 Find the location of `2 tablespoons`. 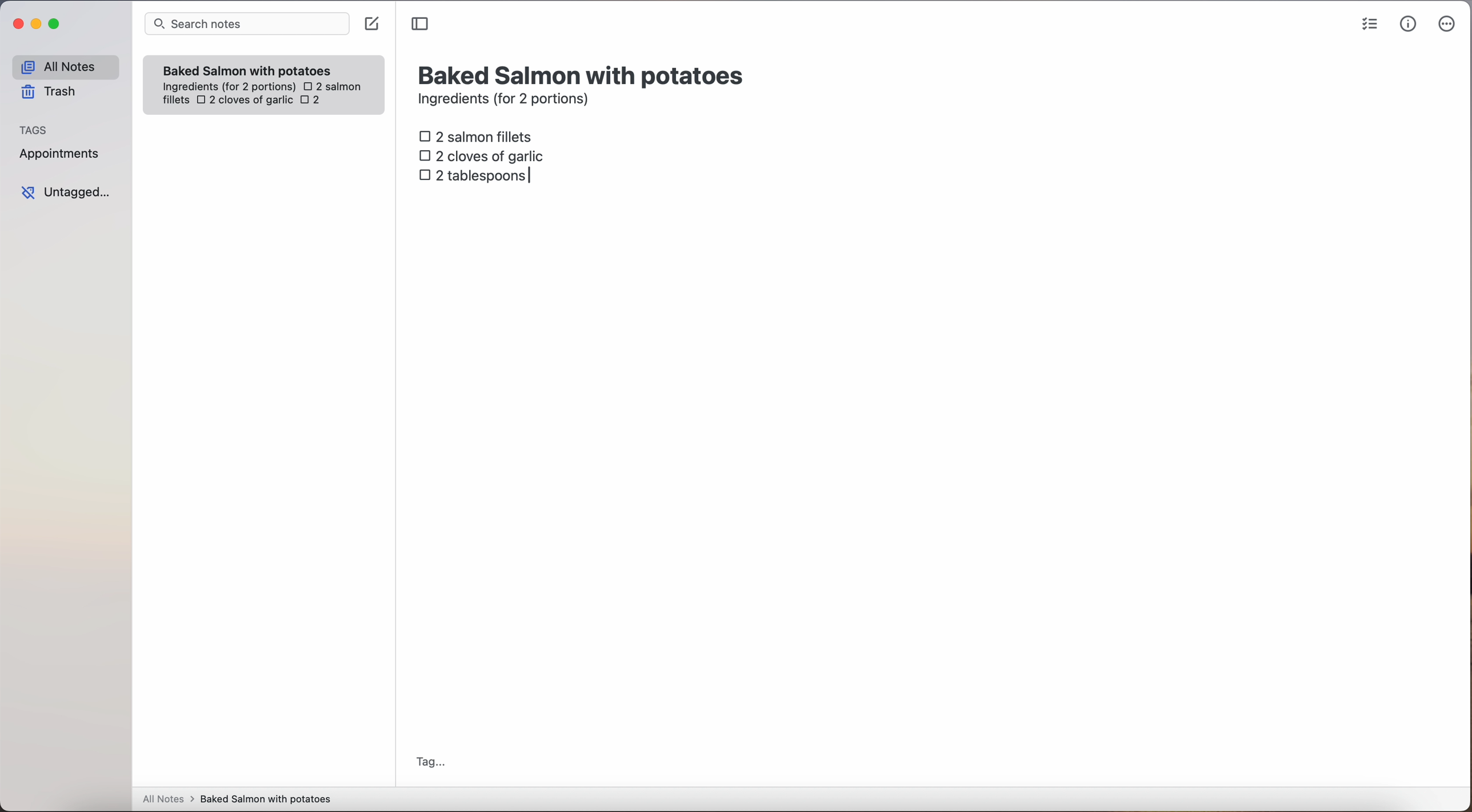

2 tablespoons is located at coordinates (477, 174).